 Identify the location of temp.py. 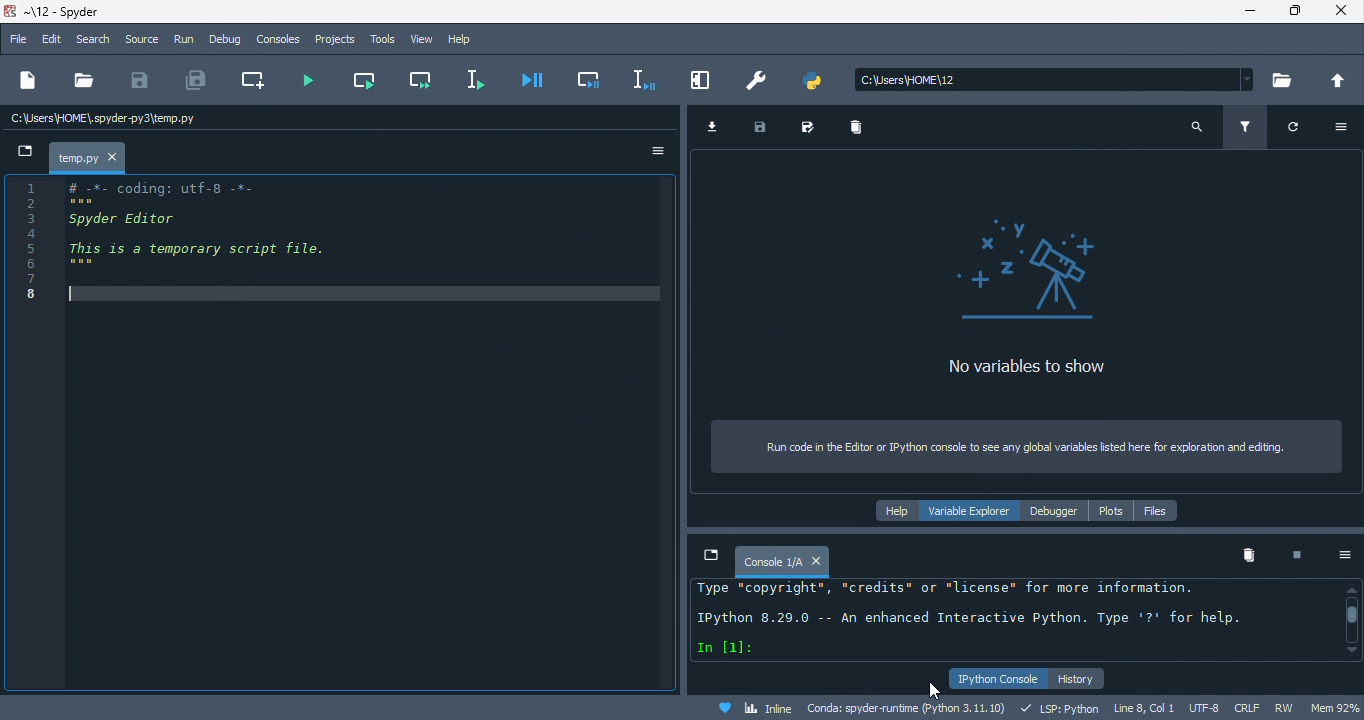
(78, 158).